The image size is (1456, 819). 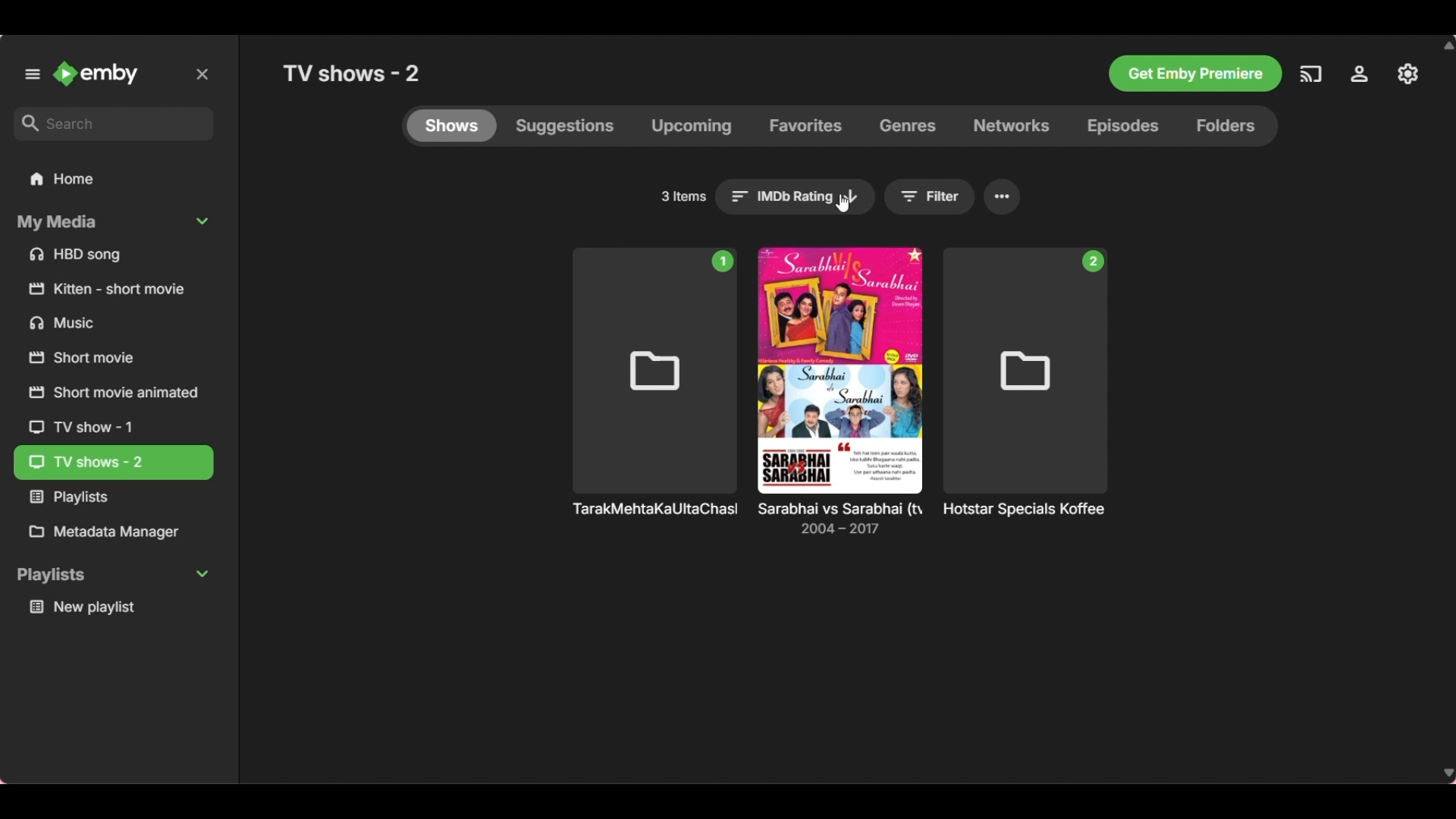 I want to click on Unpin left panel, so click(x=33, y=74).